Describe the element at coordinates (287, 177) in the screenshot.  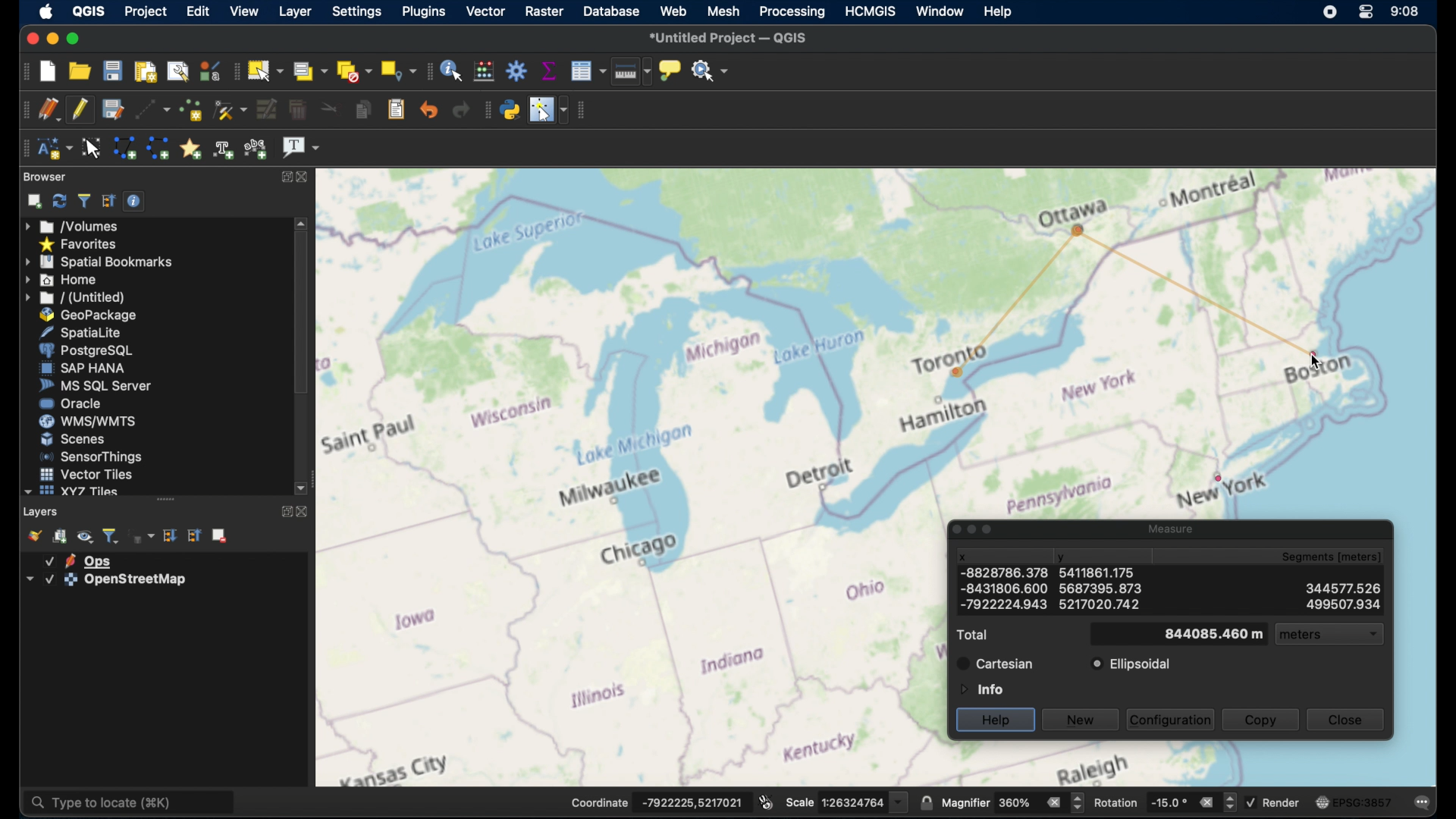
I see `maximize` at that location.